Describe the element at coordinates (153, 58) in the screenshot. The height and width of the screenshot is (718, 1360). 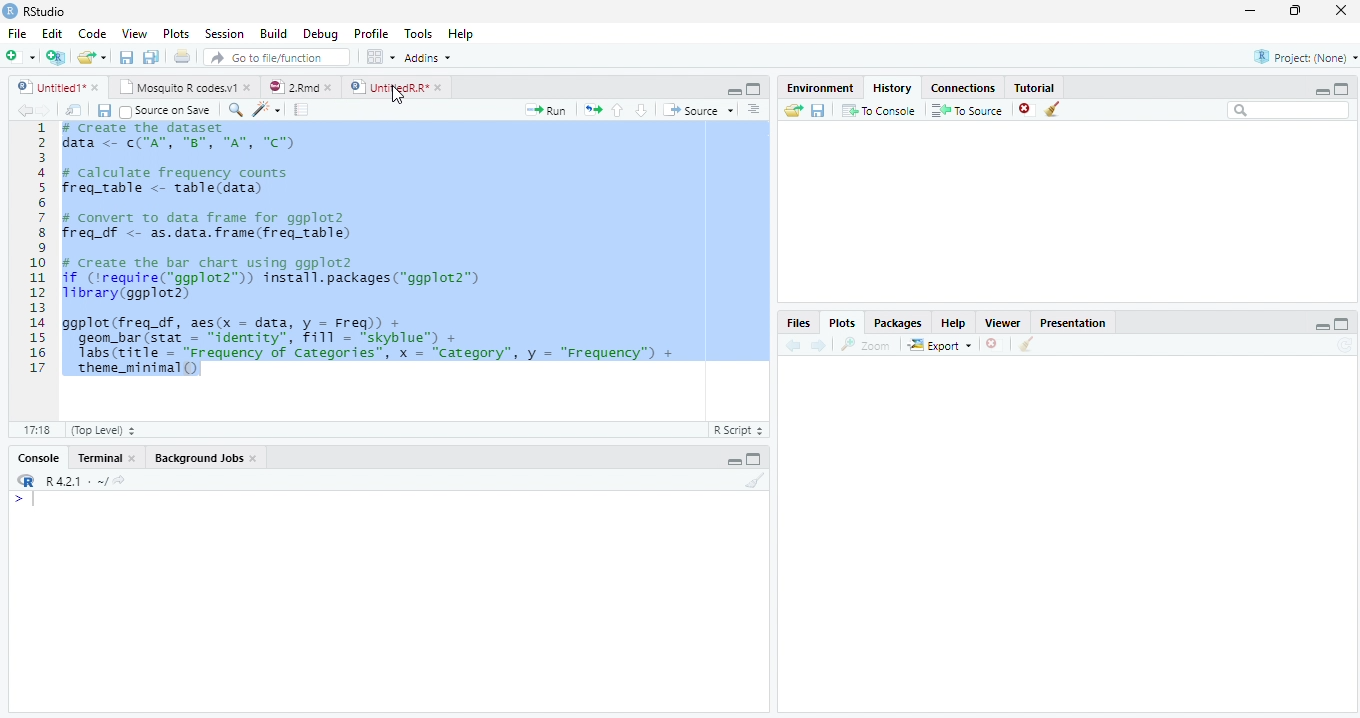
I see `Save all` at that location.